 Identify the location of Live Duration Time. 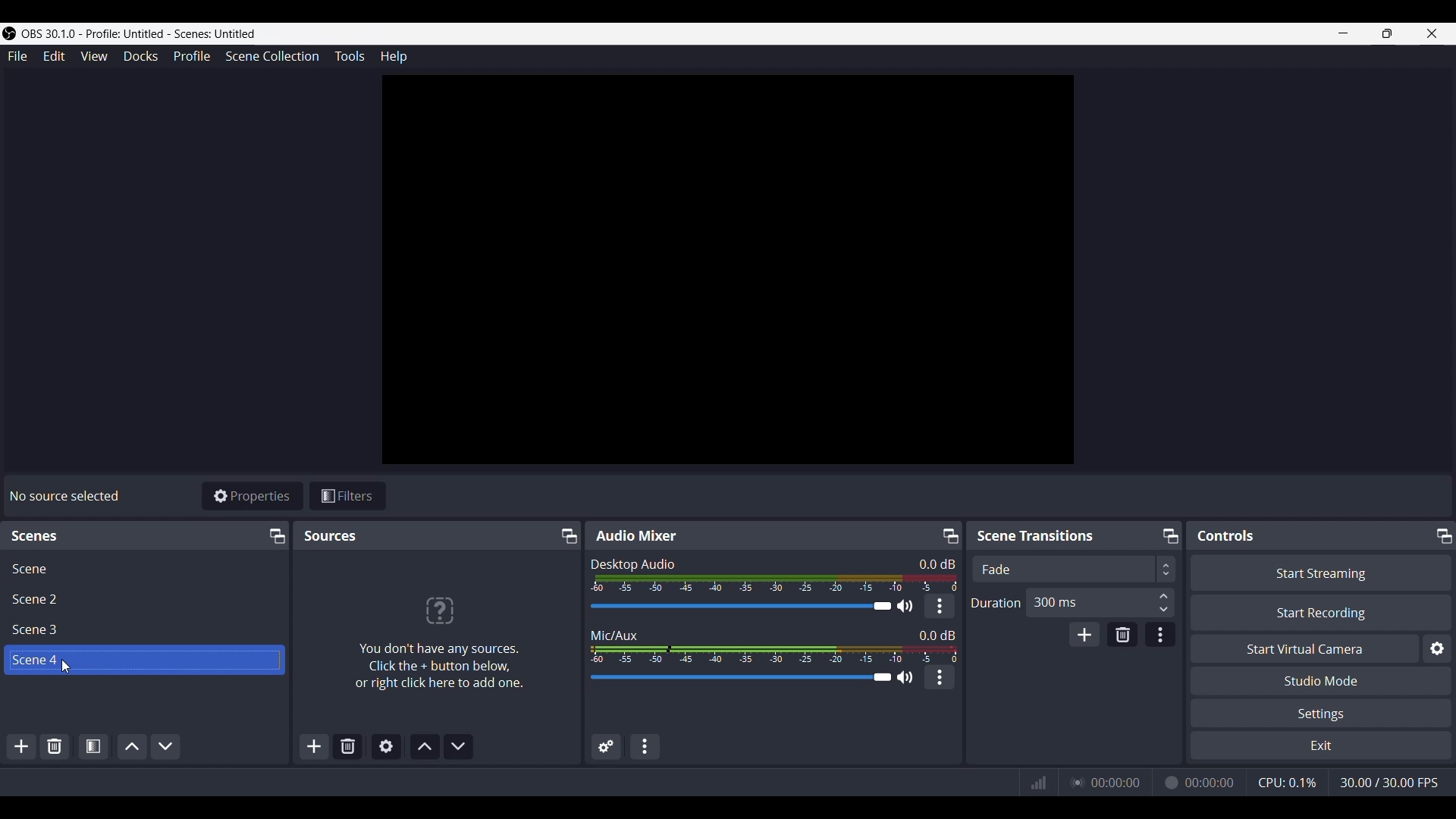
(1115, 783).